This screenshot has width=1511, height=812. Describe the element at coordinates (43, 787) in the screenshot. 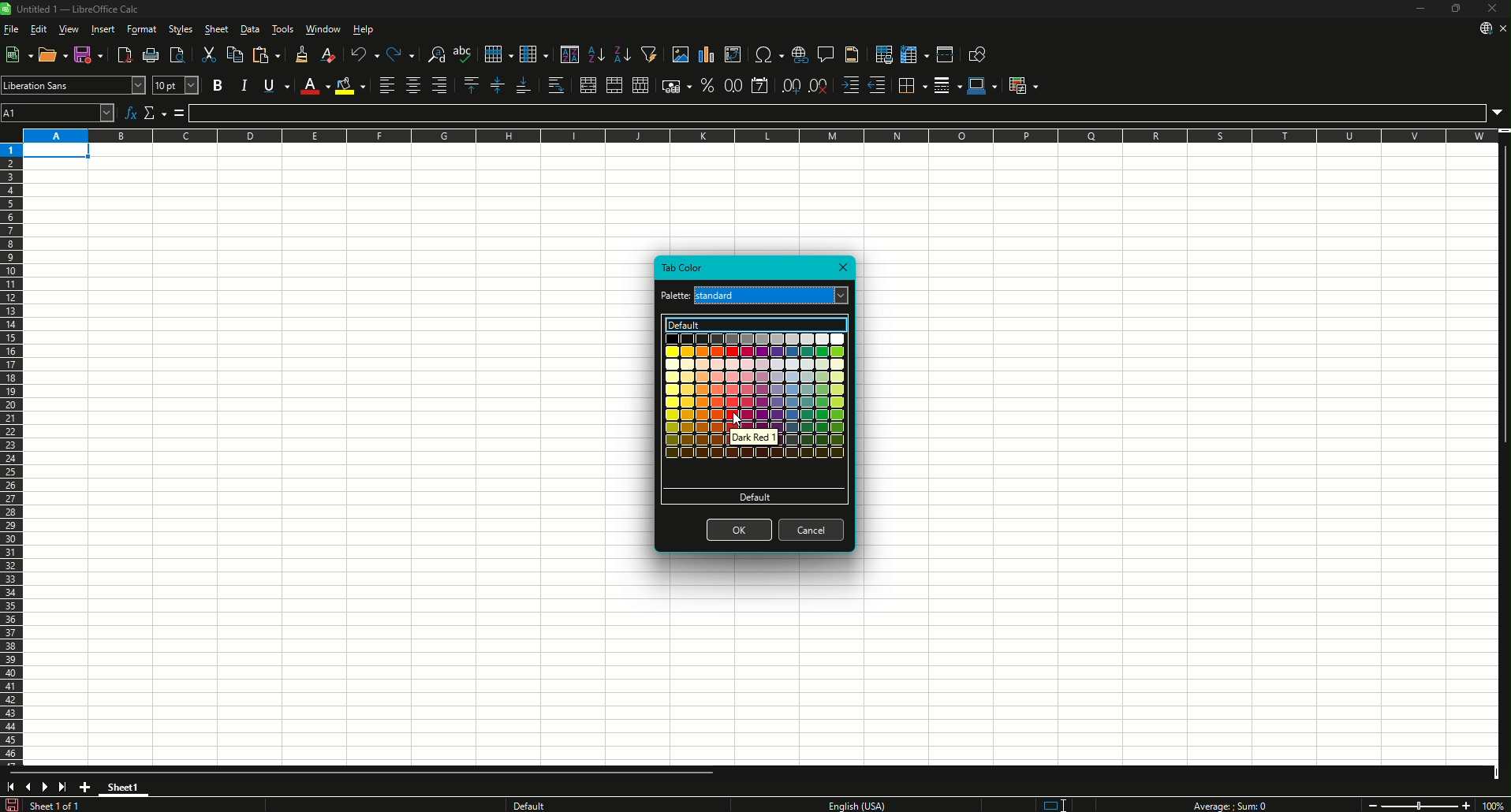

I see `Next slide` at that location.